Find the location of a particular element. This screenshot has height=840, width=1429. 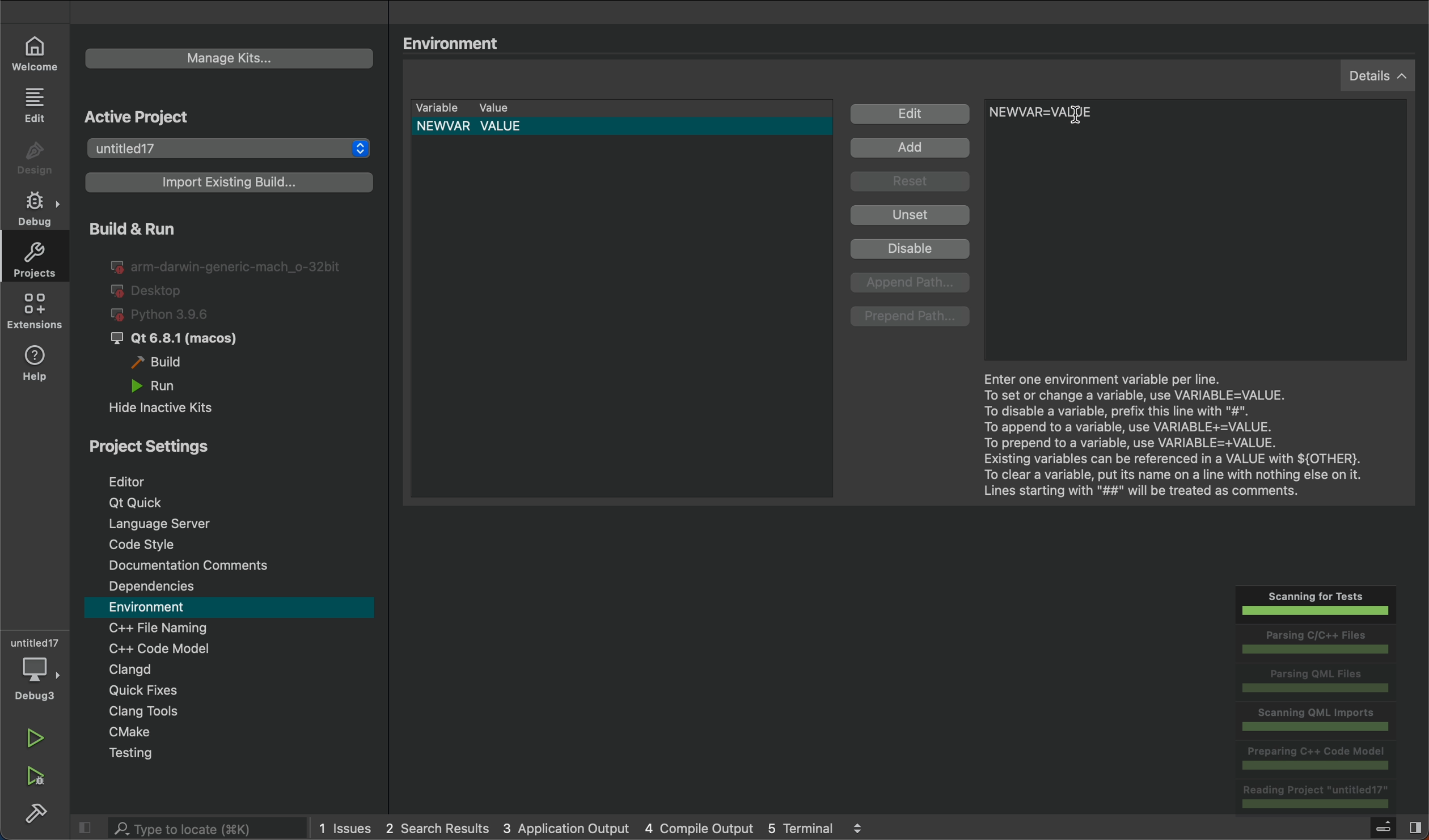

3 application output is located at coordinates (565, 828).